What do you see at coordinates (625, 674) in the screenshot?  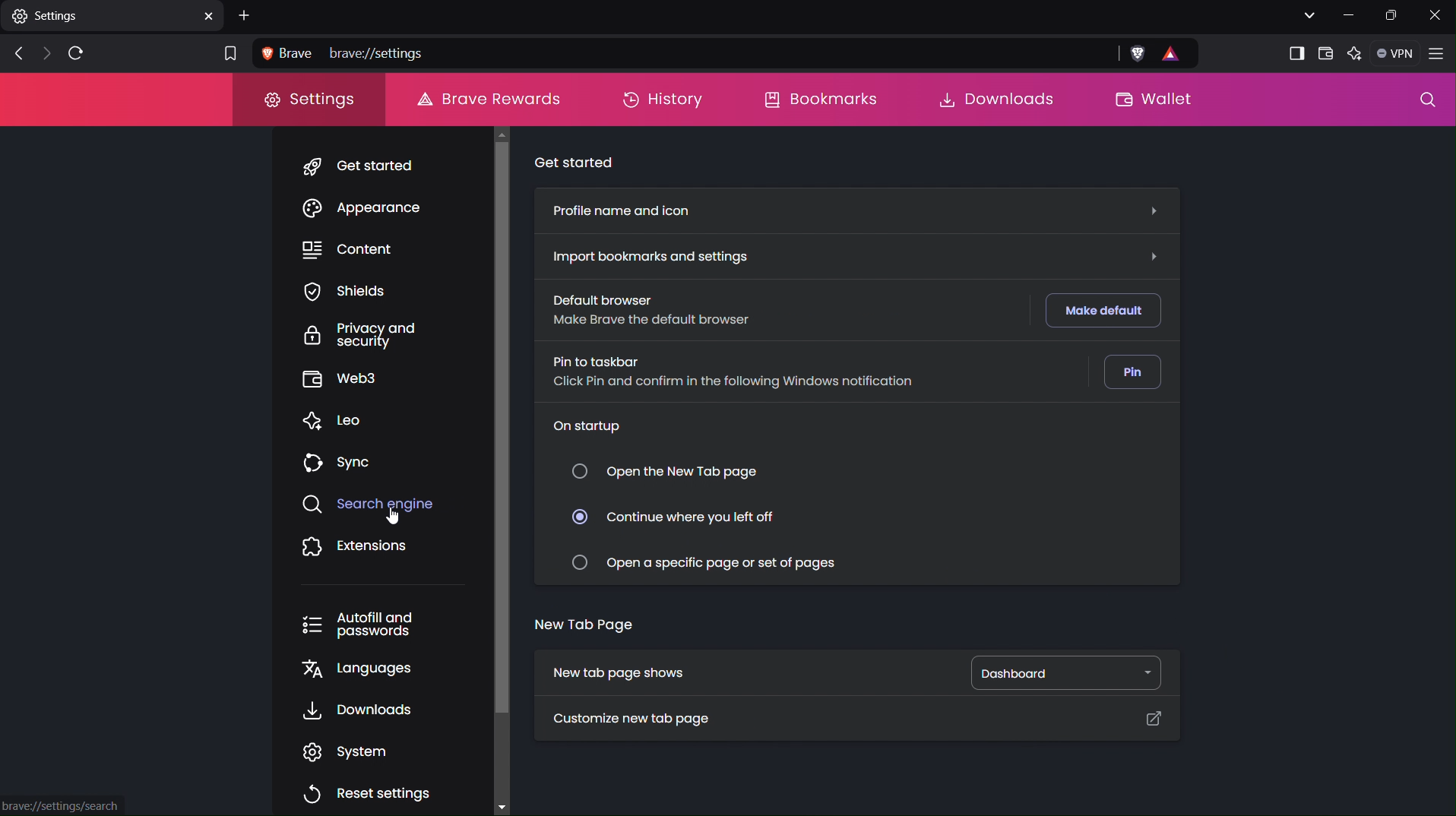 I see `New tab page shows` at bounding box center [625, 674].